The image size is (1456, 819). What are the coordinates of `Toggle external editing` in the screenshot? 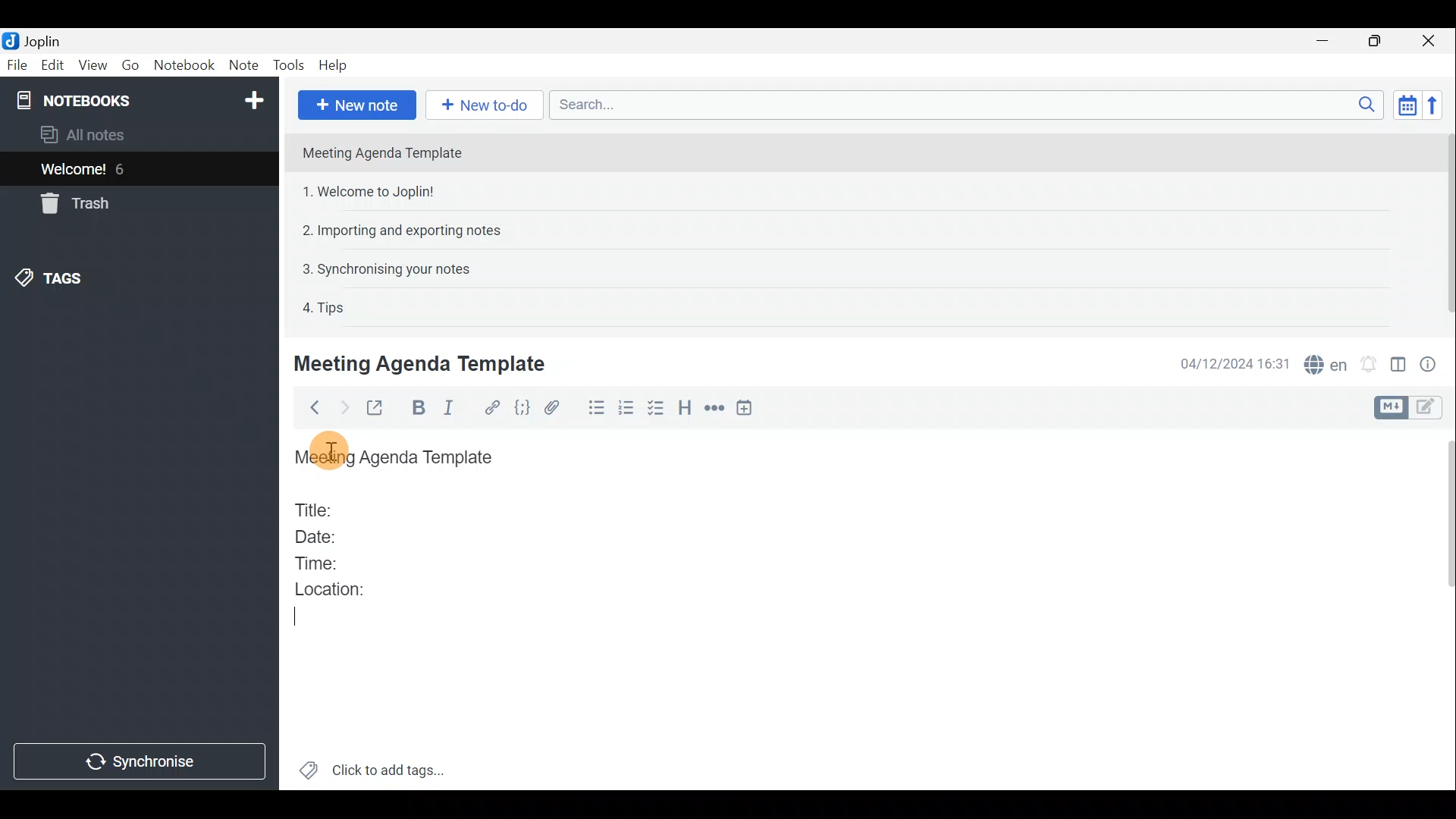 It's located at (379, 409).